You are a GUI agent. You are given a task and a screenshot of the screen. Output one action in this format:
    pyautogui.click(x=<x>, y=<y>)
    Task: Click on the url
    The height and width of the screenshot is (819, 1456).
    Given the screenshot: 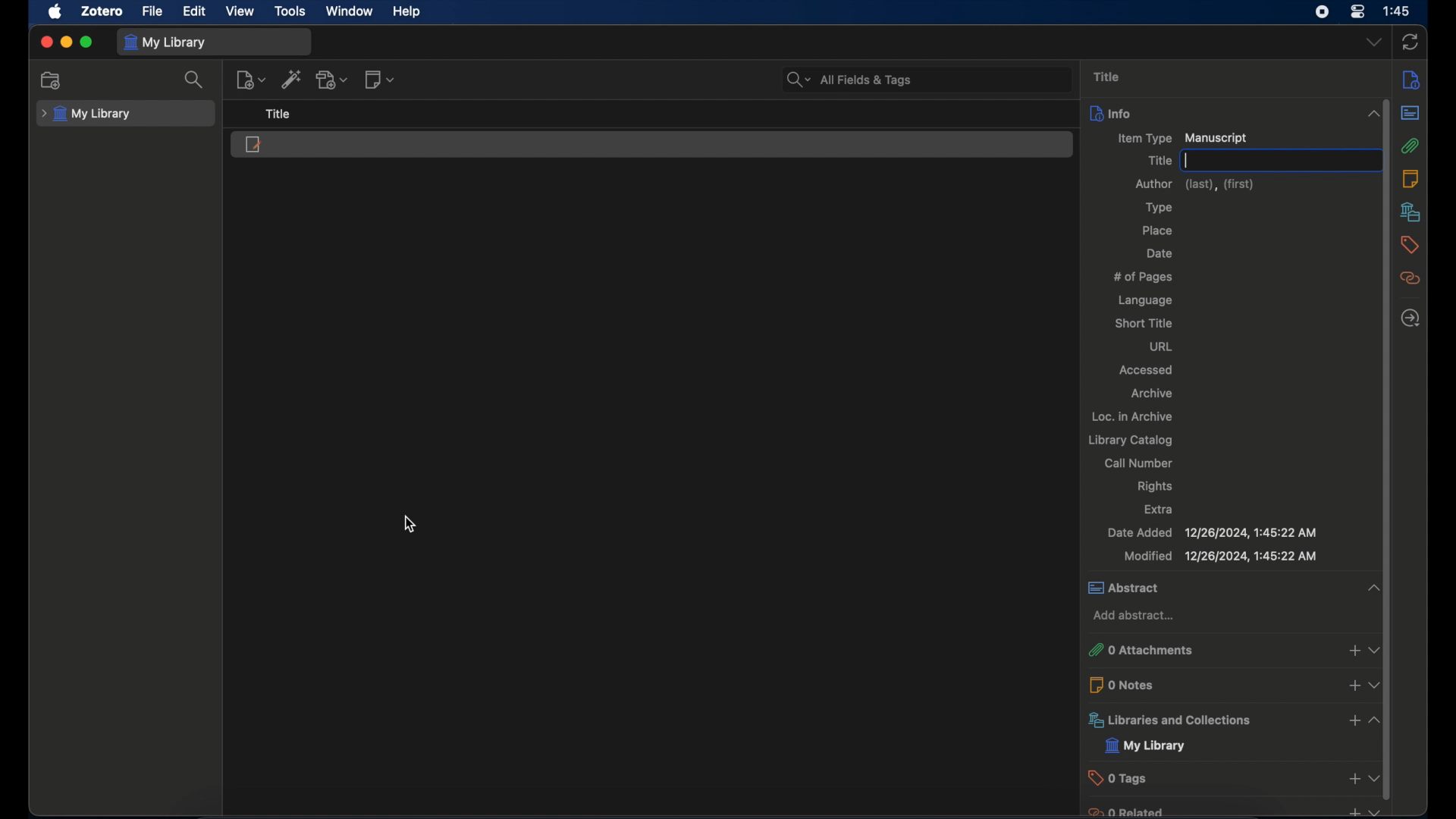 What is the action you would take?
    pyautogui.click(x=1164, y=347)
    